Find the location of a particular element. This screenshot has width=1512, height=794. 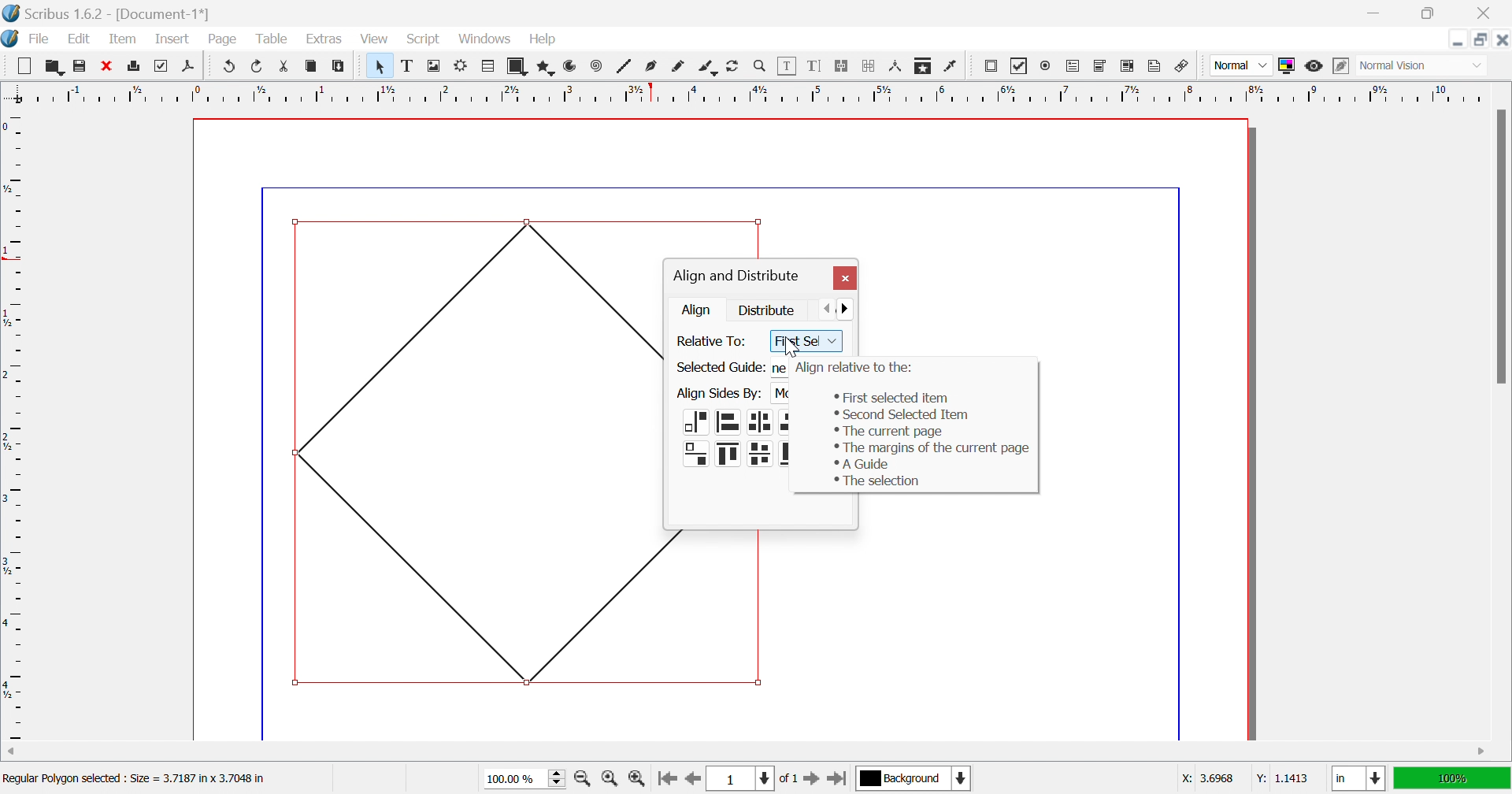

of 1 is located at coordinates (787, 780).